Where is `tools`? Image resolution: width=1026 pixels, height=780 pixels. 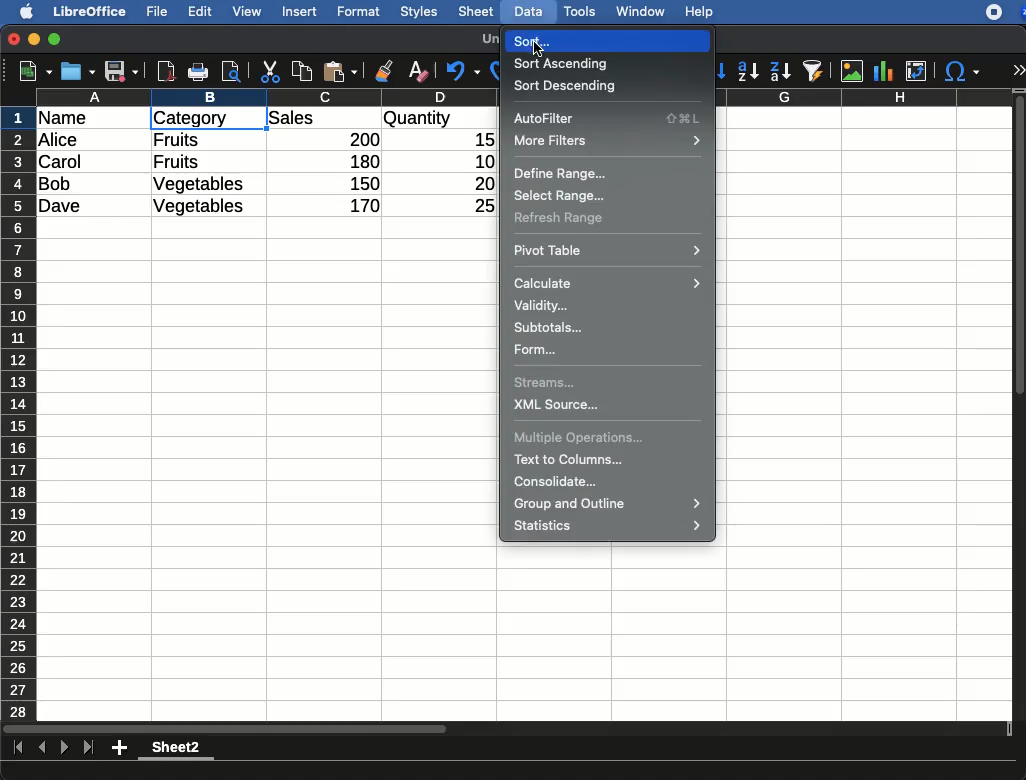
tools is located at coordinates (581, 11).